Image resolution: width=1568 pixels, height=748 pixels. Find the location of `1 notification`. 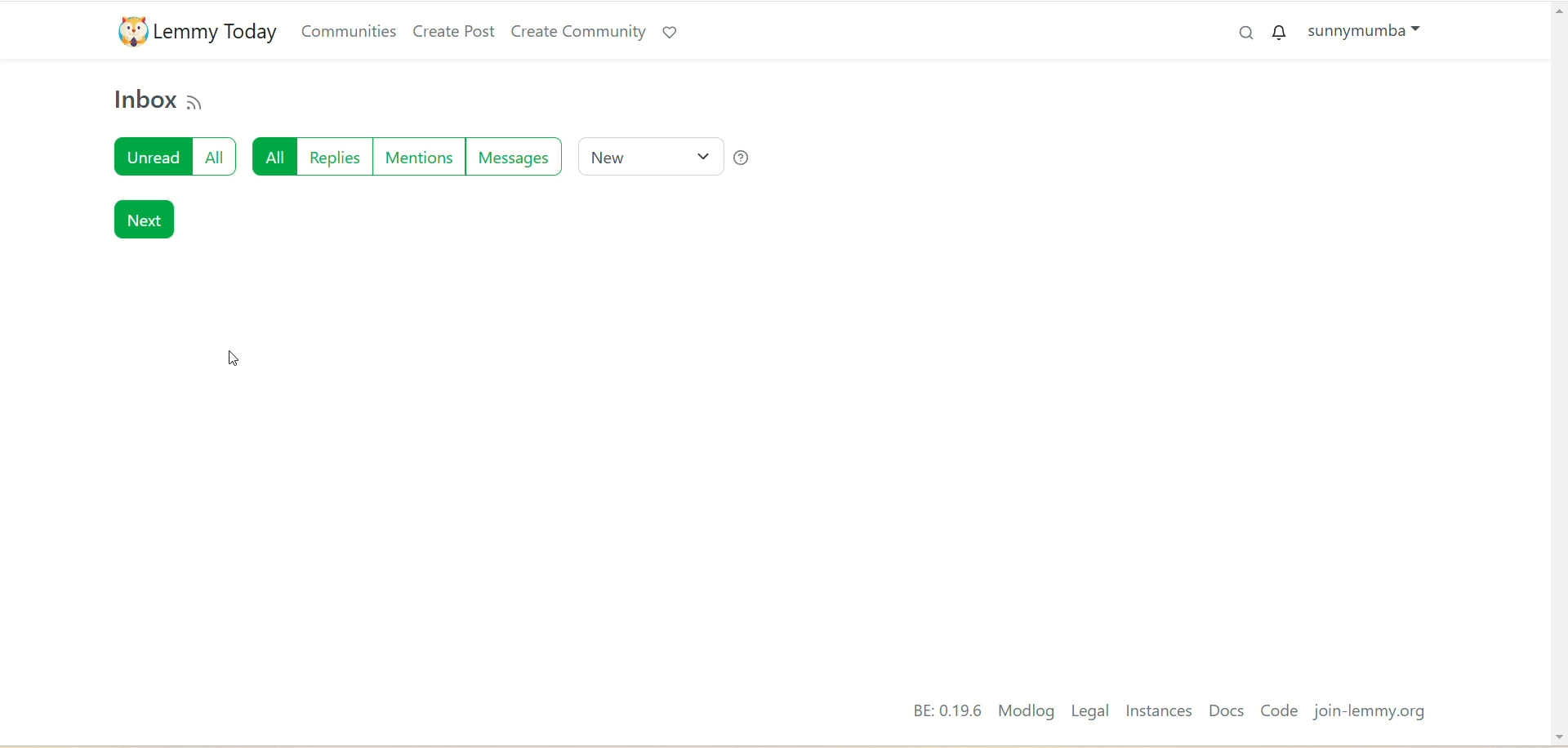

1 notification is located at coordinates (1276, 35).